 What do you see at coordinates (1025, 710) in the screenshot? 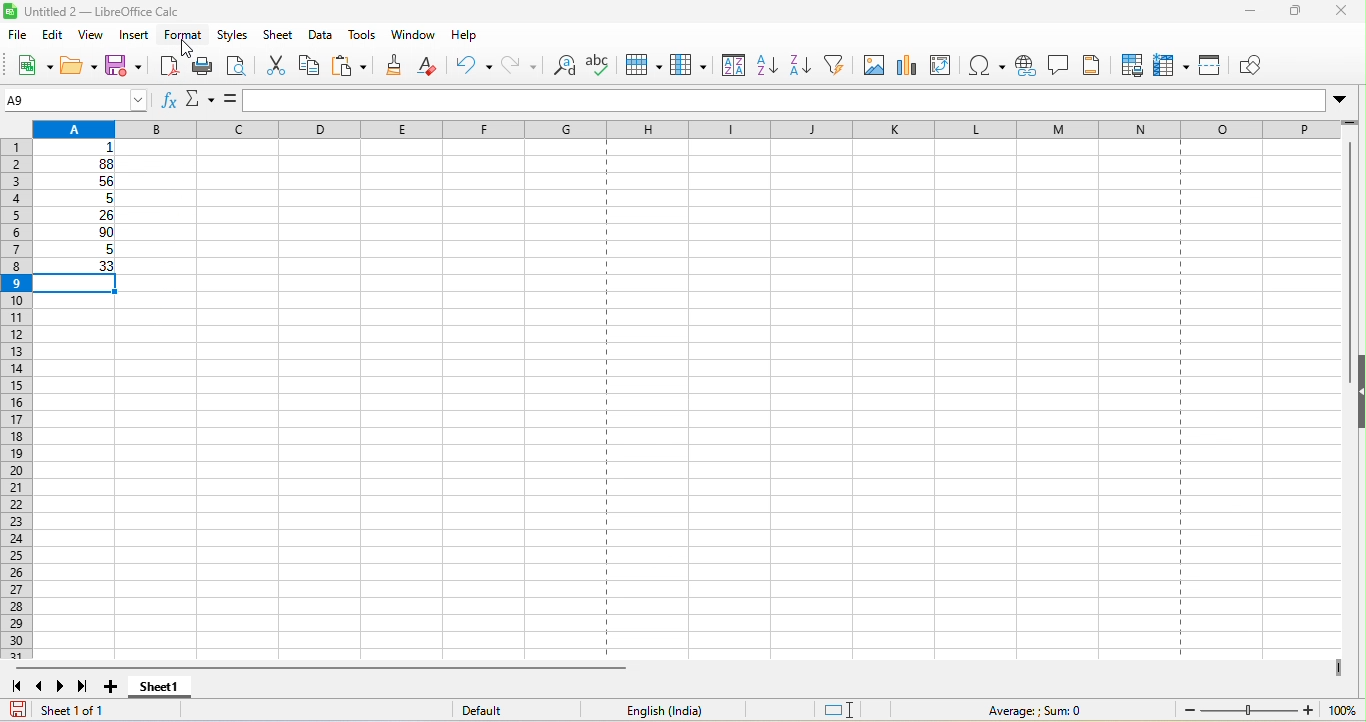
I see `average ; sum 0` at bounding box center [1025, 710].